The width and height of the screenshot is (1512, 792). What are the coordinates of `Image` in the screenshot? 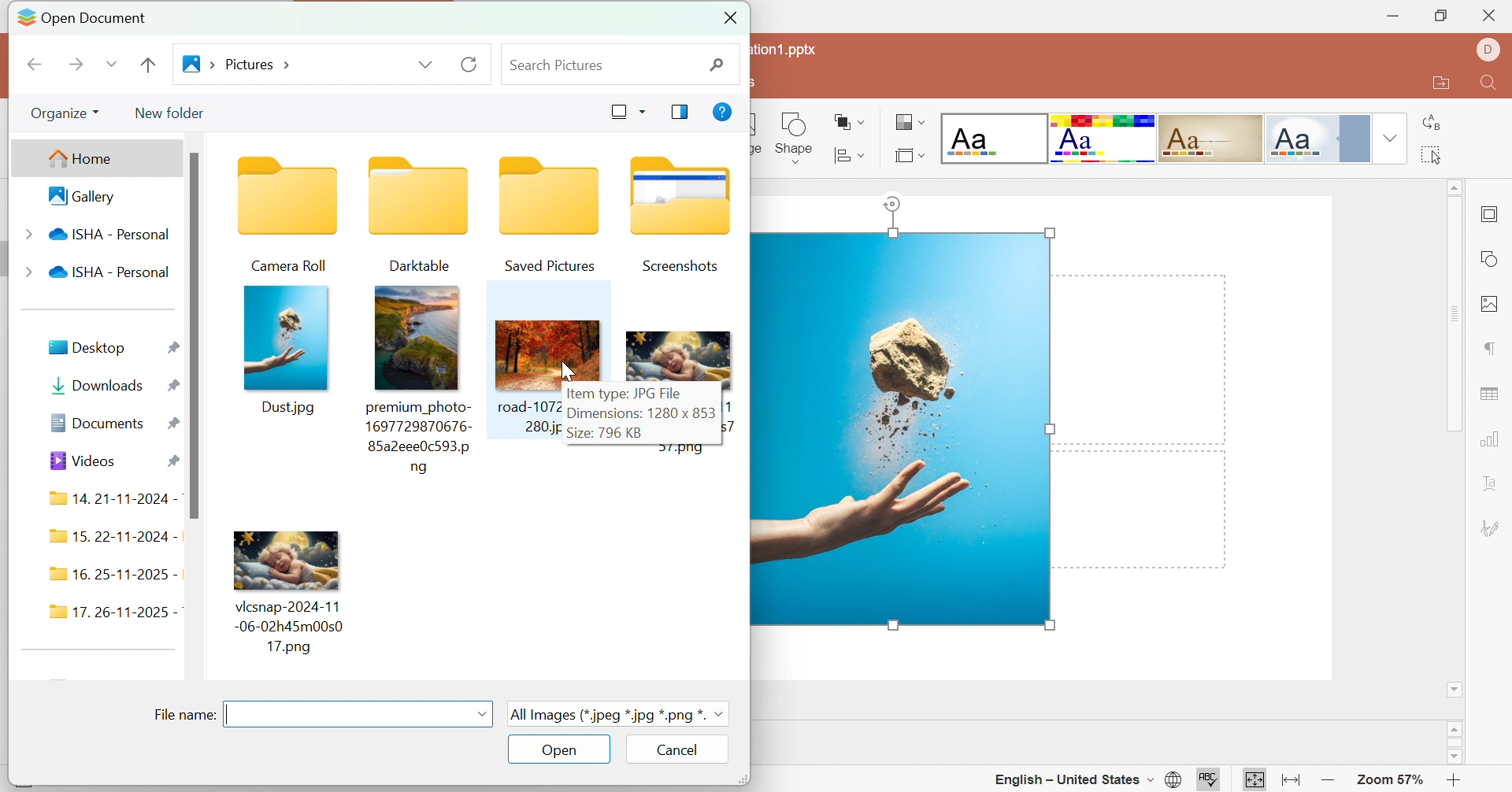 It's located at (902, 425).